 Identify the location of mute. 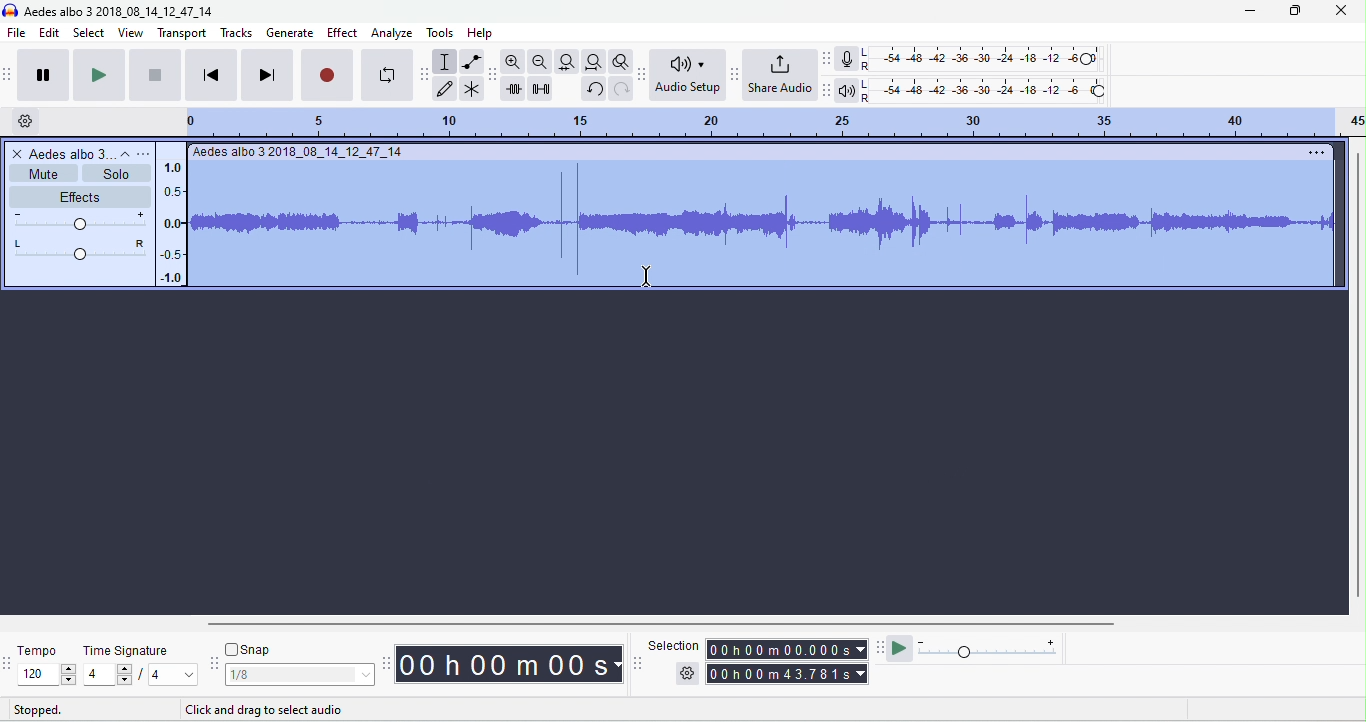
(40, 175).